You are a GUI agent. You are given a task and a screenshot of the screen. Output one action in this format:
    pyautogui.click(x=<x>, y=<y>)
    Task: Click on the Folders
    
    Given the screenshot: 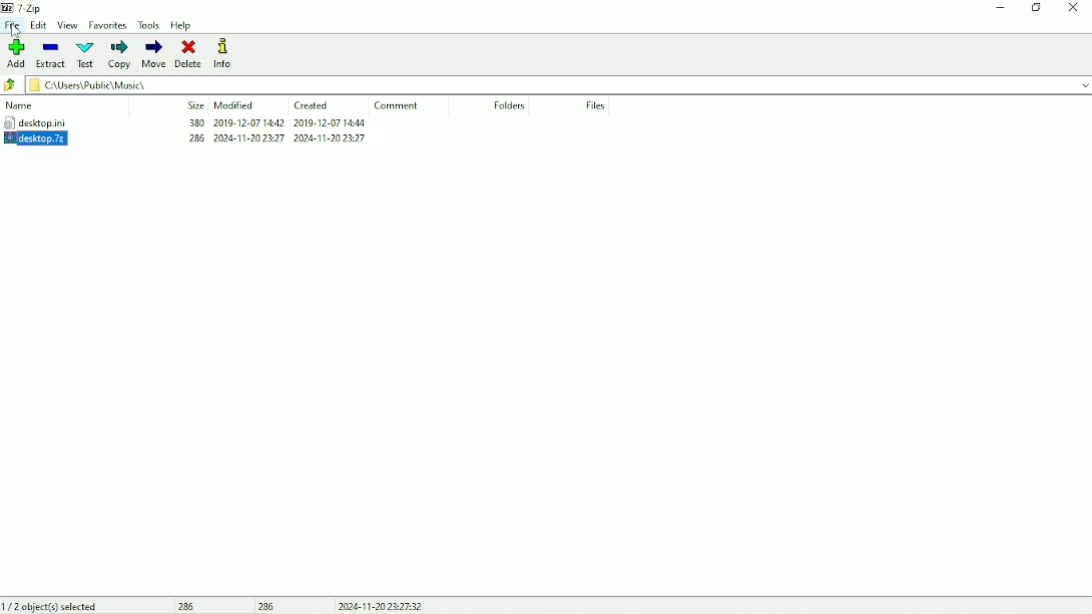 What is the action you would take?
    pyautogui.click(x=511, y=105)
    